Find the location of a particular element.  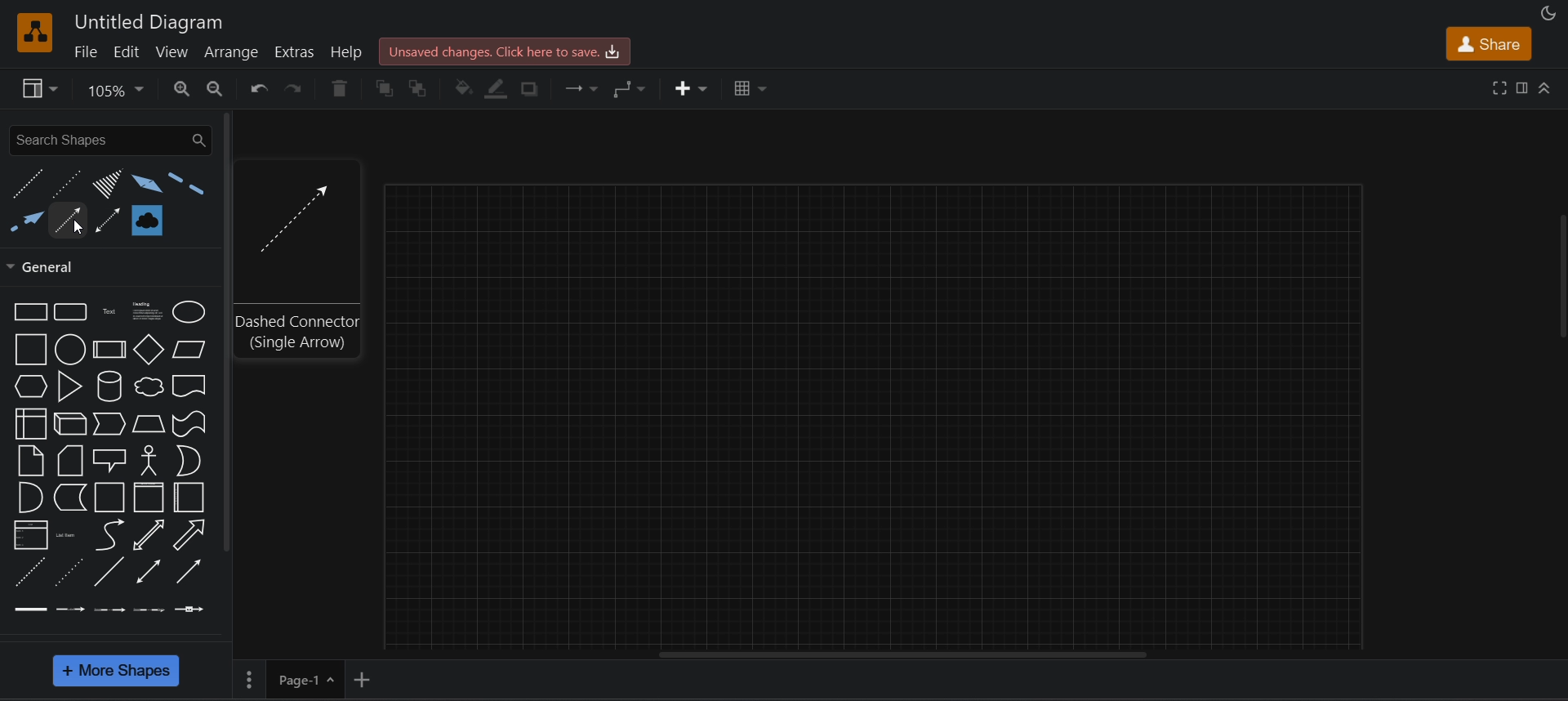

logo is located at coordinates (36, 33).